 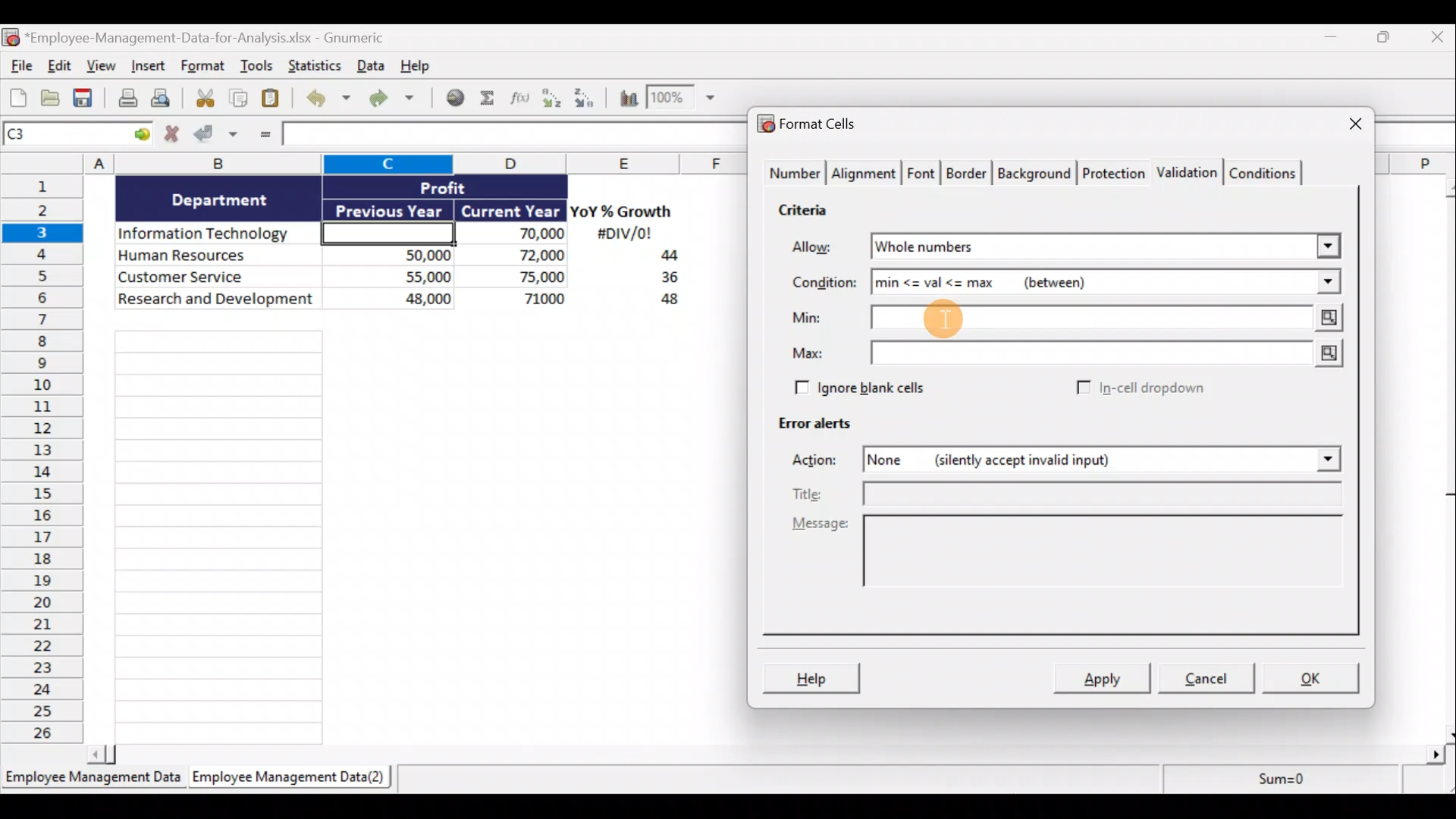 I want to click on Data, so click(x=369, y=65).